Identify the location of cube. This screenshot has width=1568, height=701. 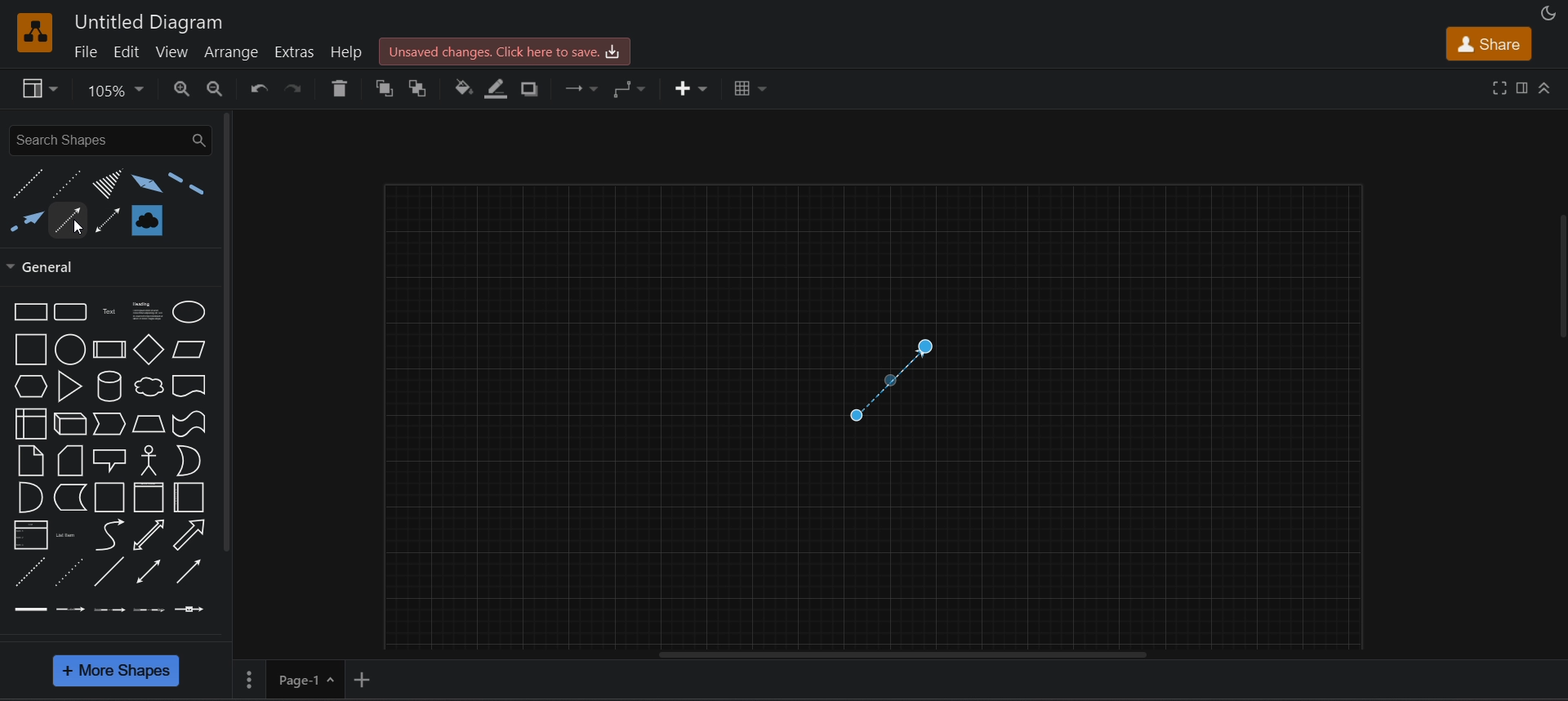
(70, 423).